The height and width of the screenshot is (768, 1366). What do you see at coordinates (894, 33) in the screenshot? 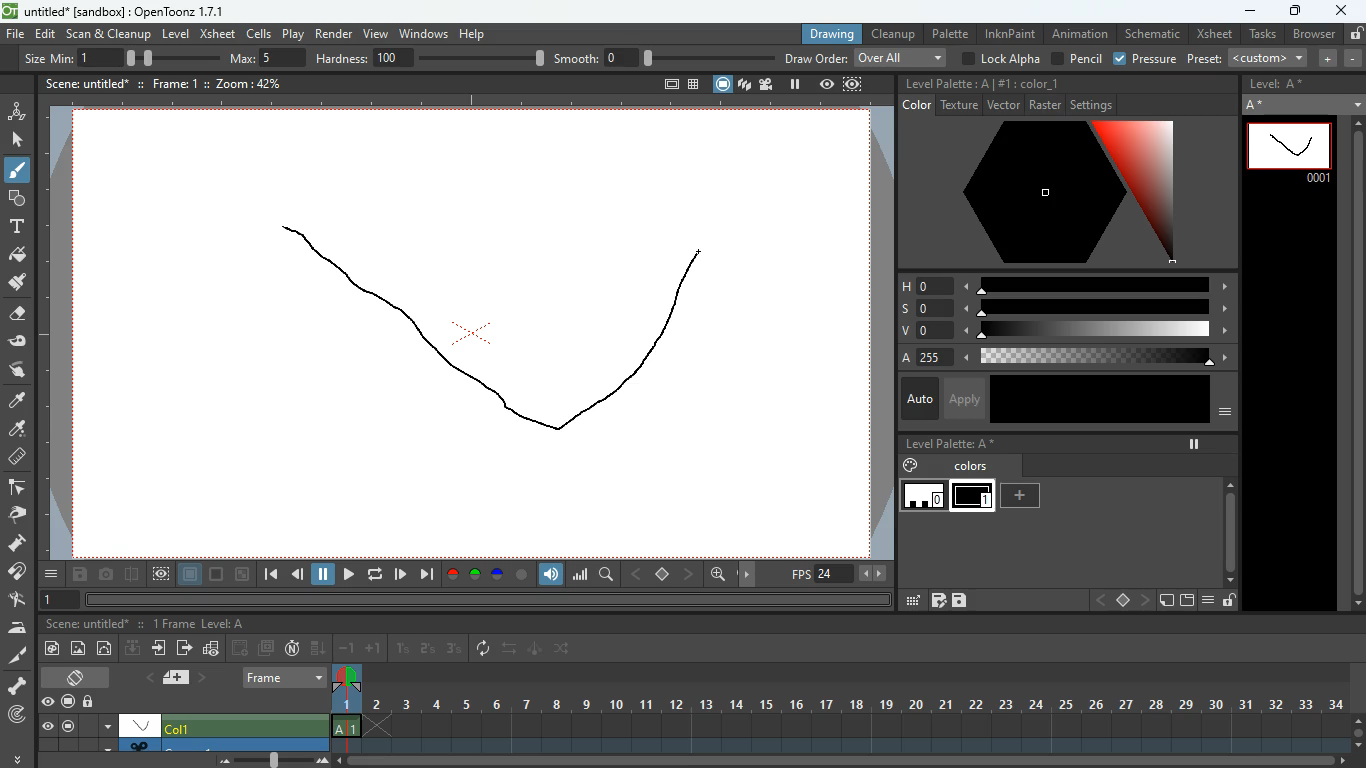
I see `cleanup` at bounding box center [894, 33].